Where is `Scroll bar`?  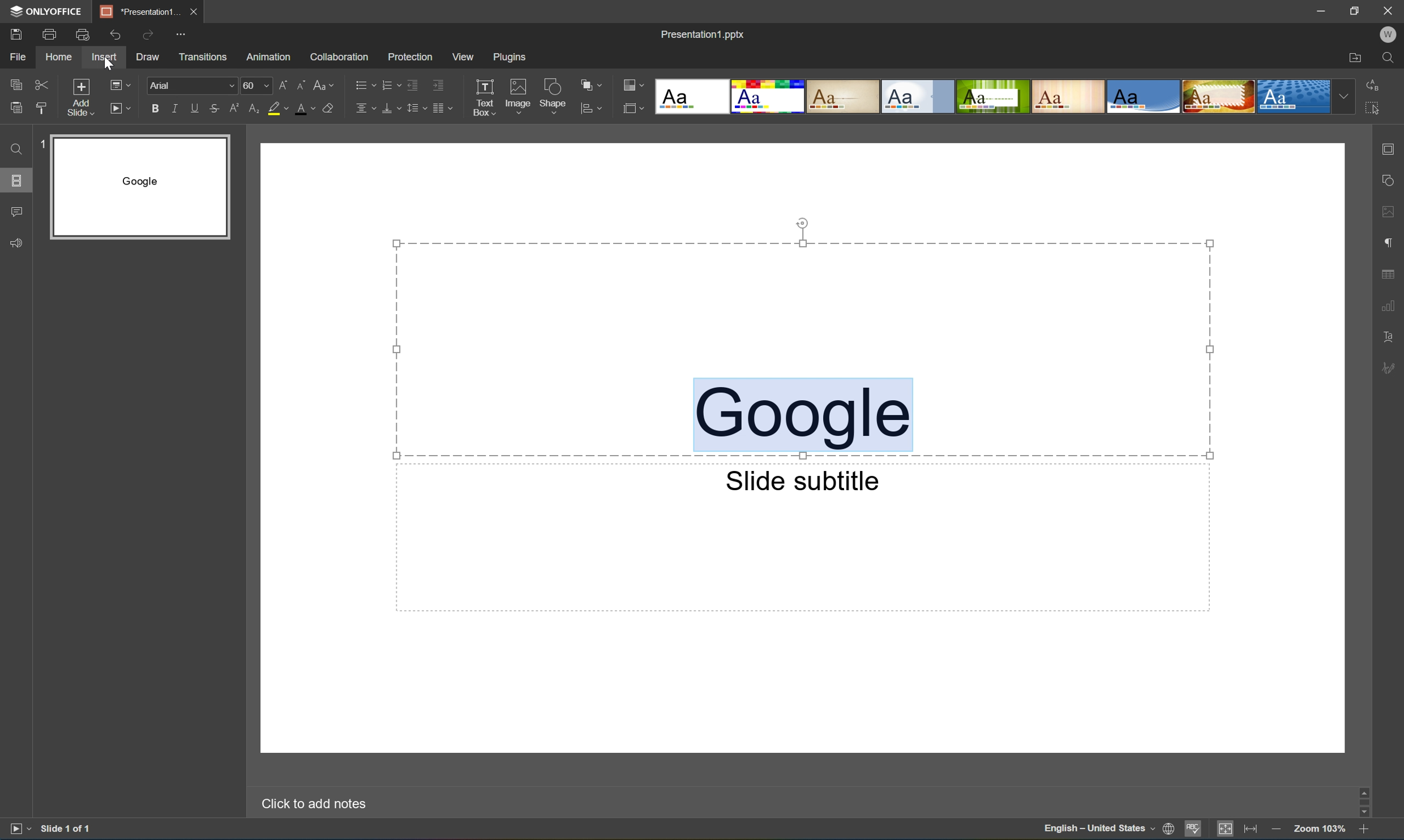
Scroll bar is located at coordinates (1364, 801).